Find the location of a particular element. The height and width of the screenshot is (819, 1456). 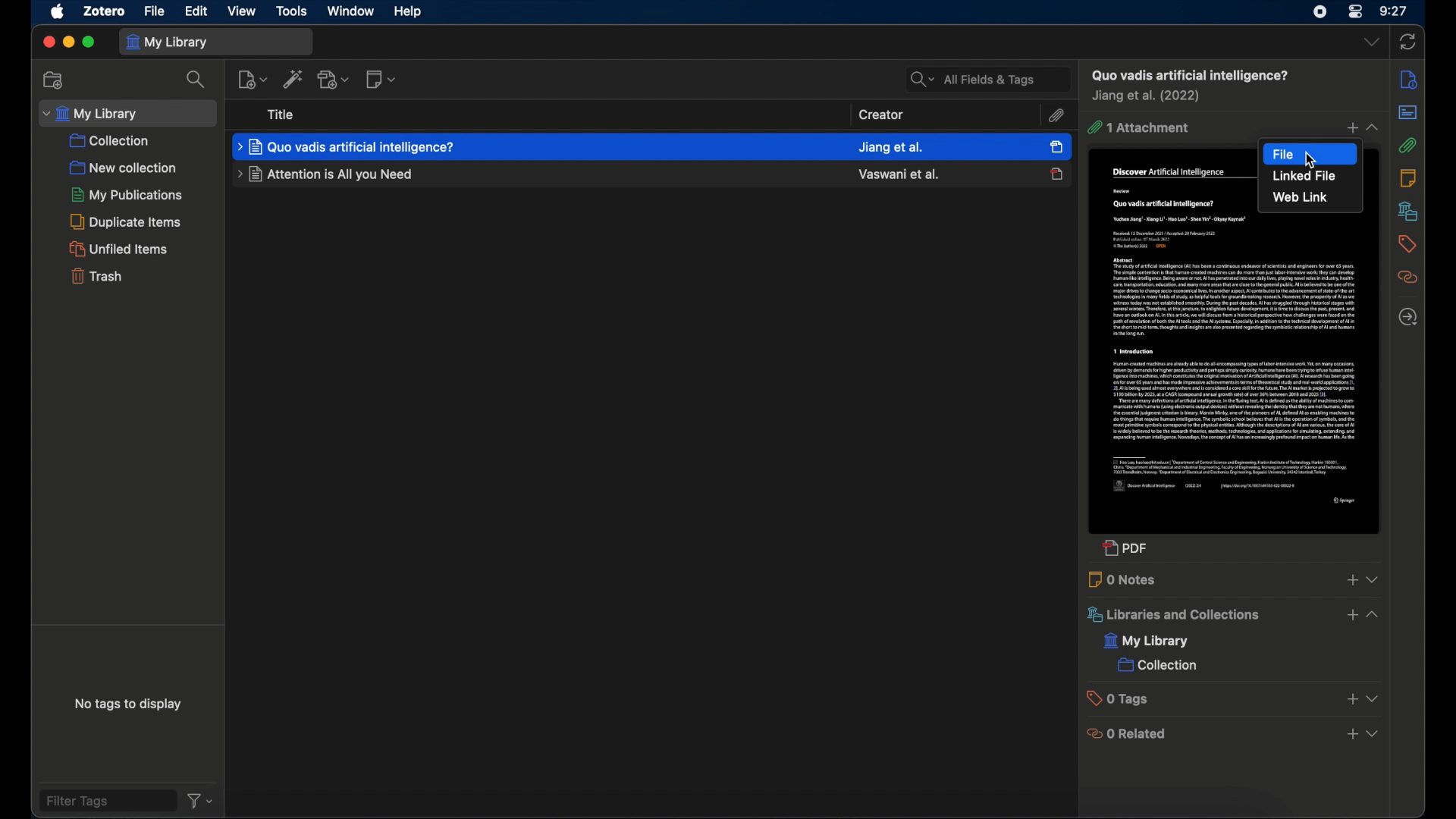

dropdown menu is located at coordinates (1374, 579).